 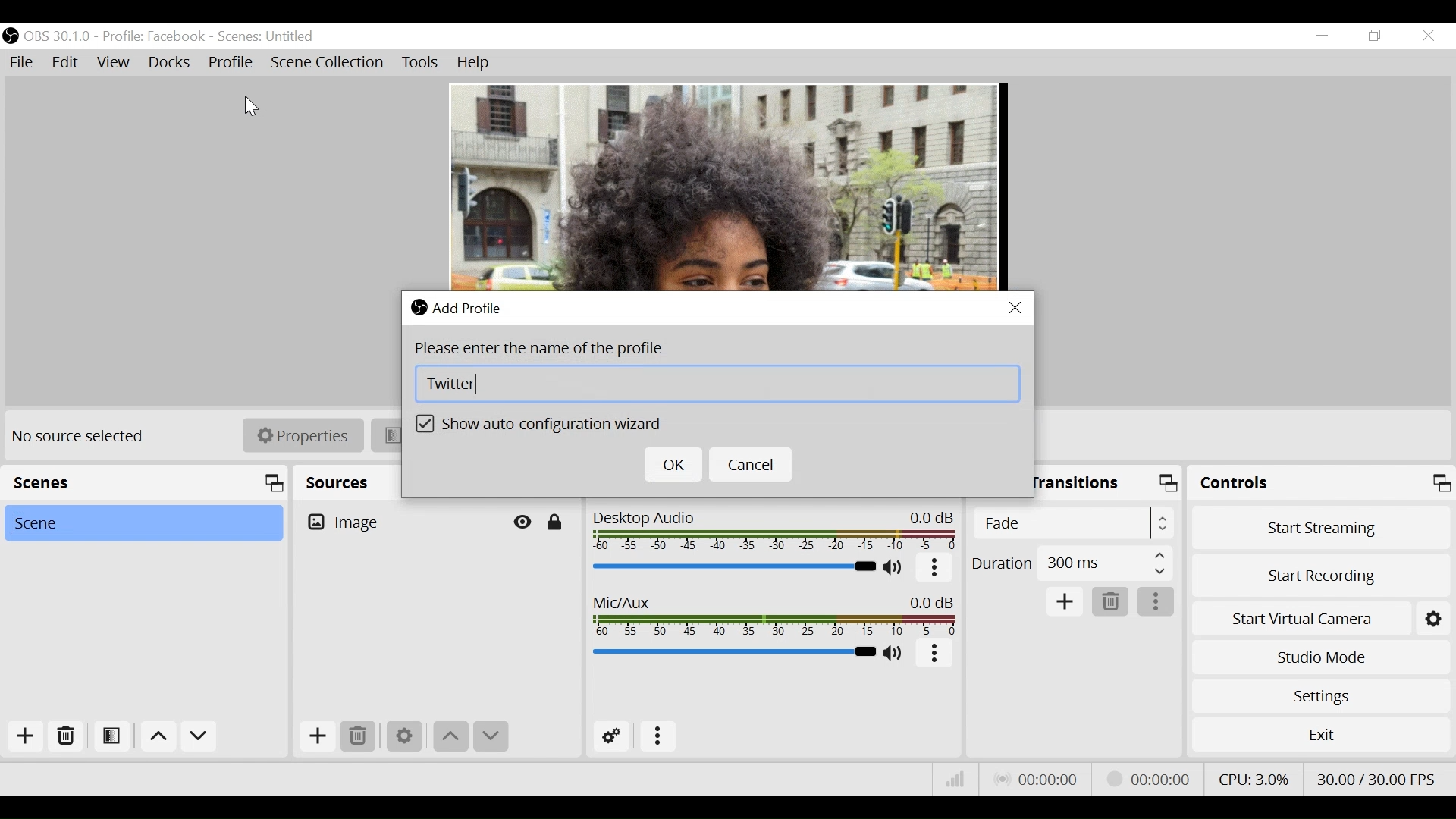 I want to click on Select Duration, so click(x=1072, y=562).